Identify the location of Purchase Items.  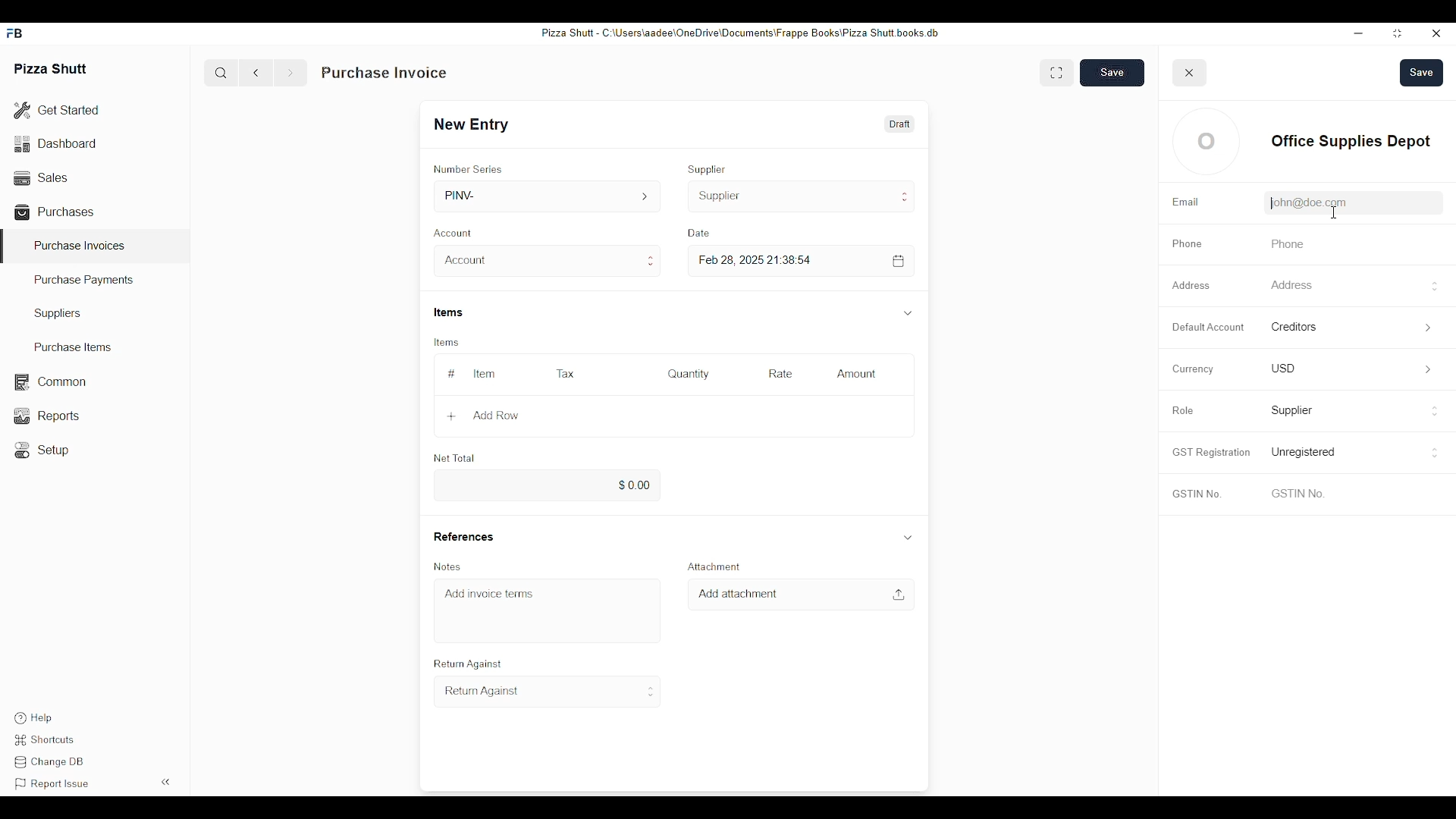
(67, 347).